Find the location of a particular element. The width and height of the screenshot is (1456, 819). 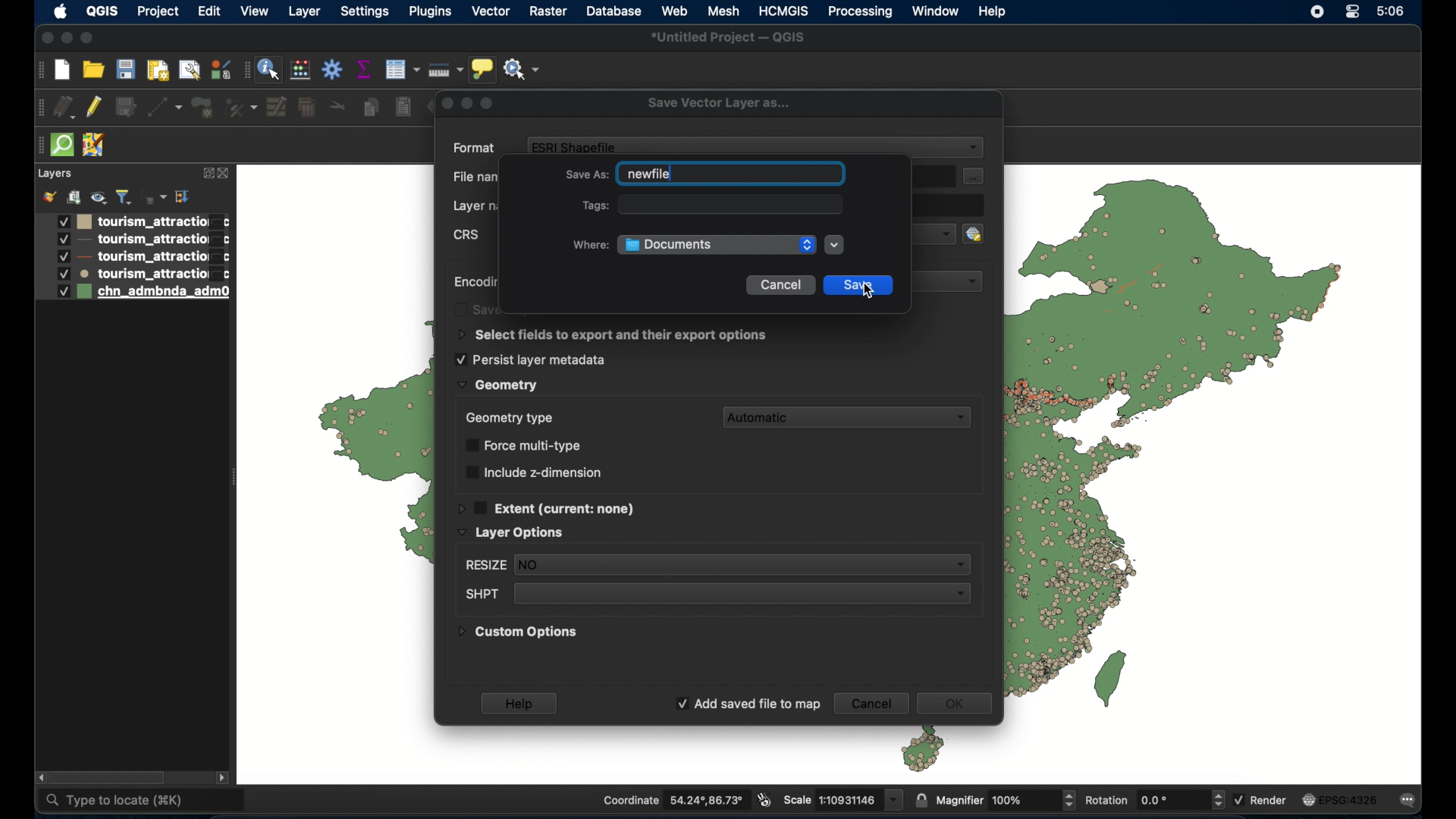

cancel is located at coordinates (871, 703).